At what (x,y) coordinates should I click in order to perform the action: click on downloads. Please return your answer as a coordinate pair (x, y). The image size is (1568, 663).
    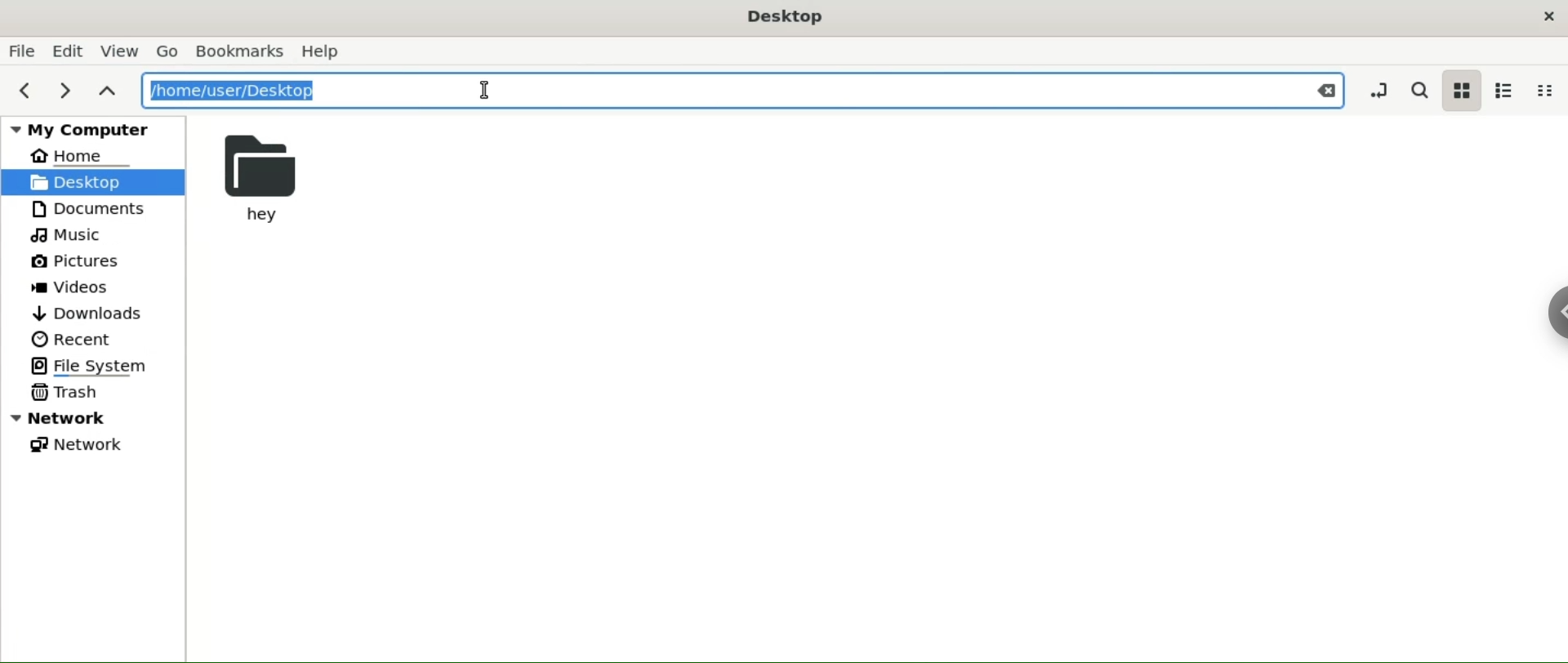
    Looking at the image, I should click on (91, 314).